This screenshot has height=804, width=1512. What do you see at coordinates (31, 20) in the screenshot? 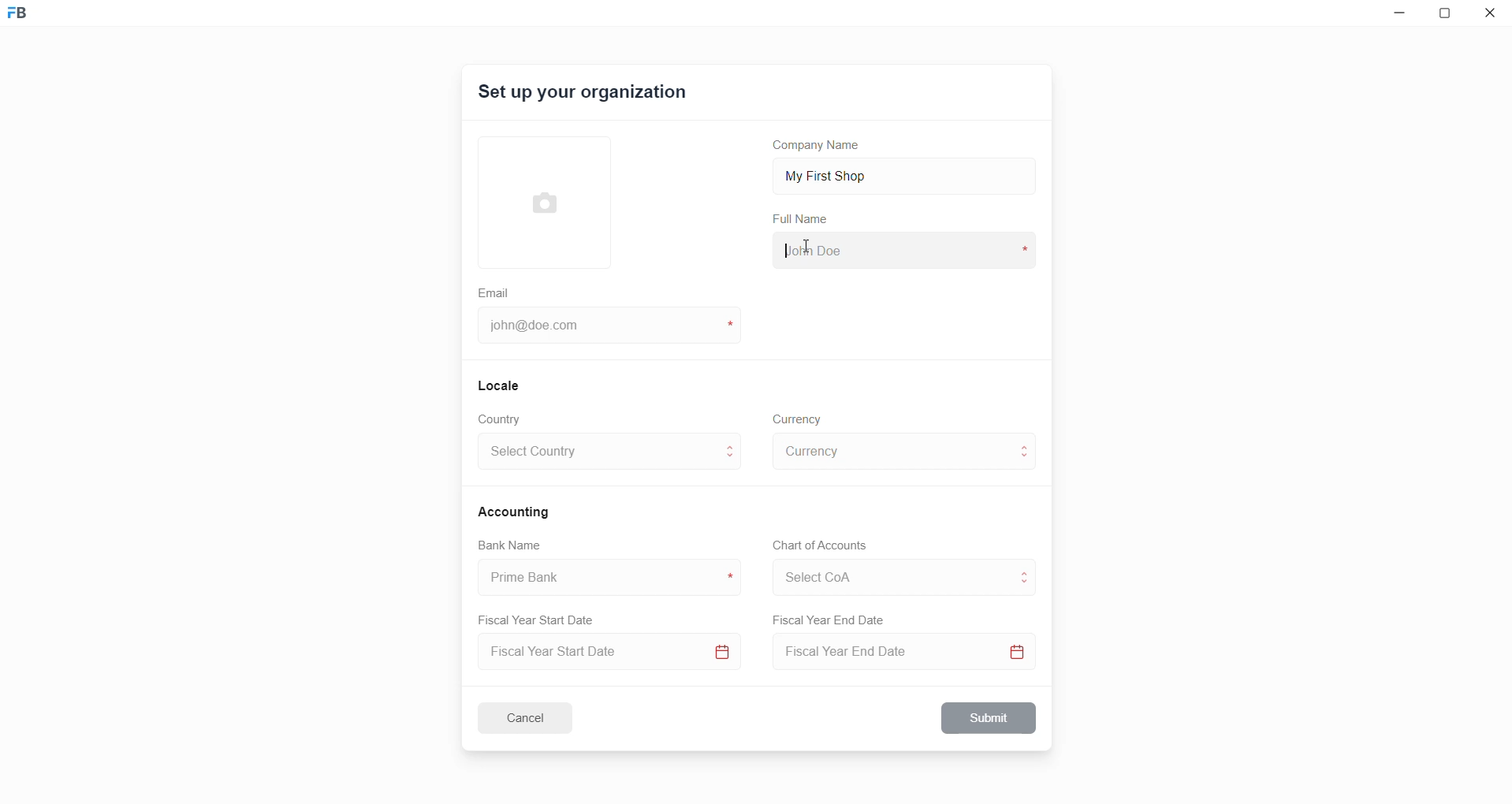
I see `Frappe Book logo` at bounding box center [31, 20].